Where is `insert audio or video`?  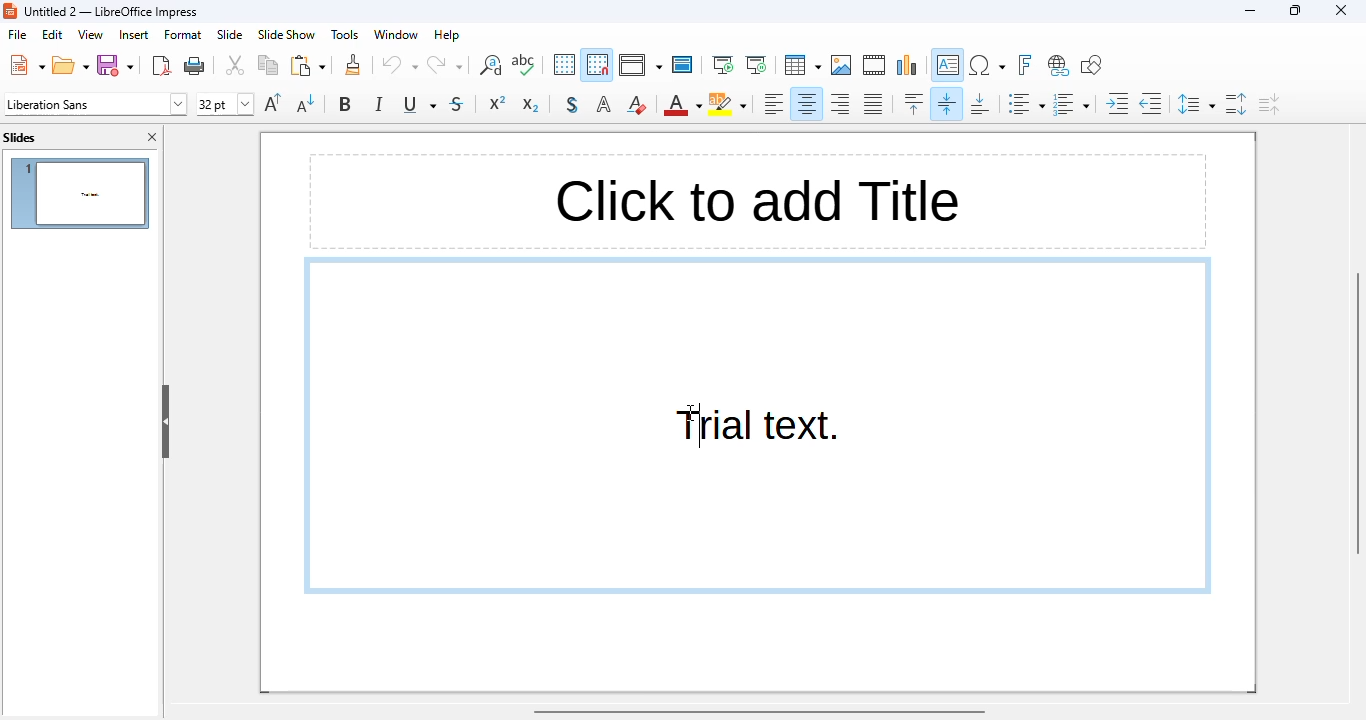 insert audio or video is located at coordinates (875, 64).